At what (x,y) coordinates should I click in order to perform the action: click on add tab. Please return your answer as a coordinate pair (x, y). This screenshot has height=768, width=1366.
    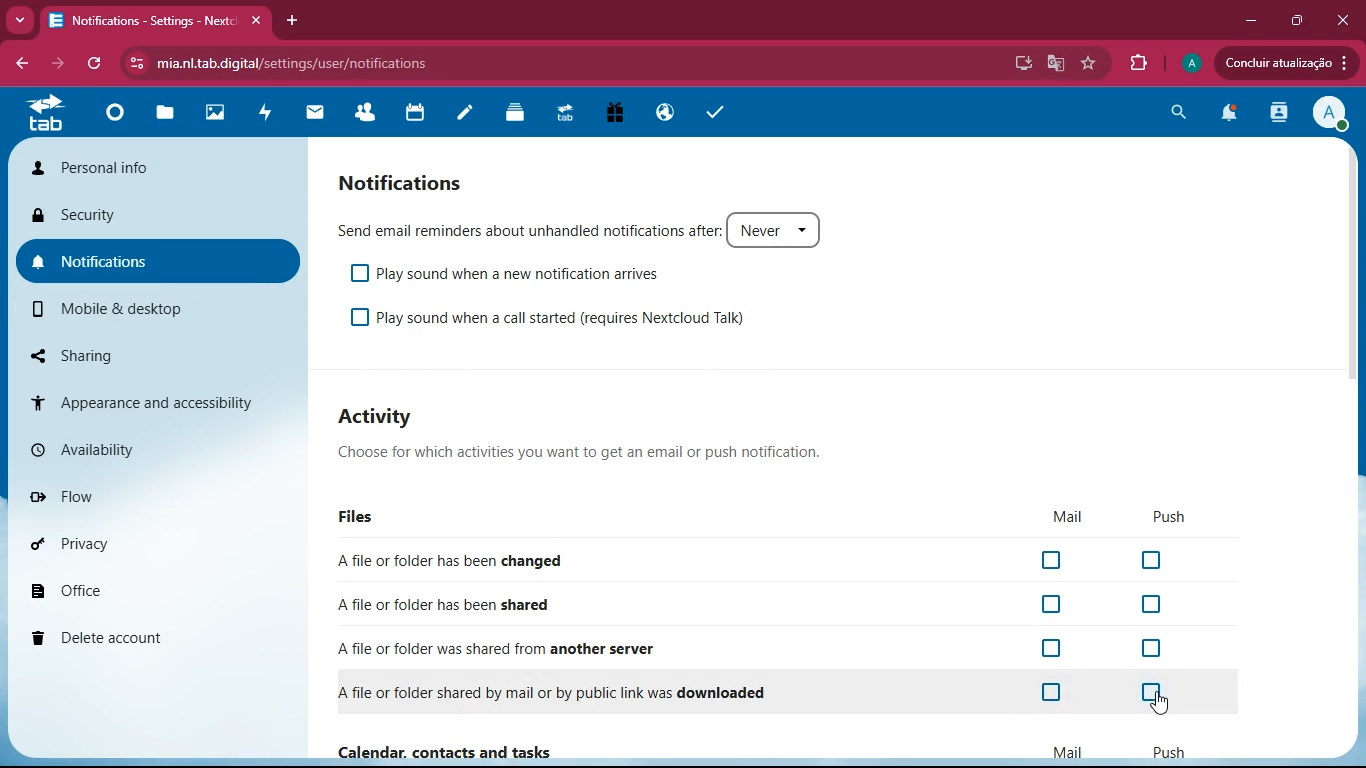
    Looking at the image, I should click on (293, 19).